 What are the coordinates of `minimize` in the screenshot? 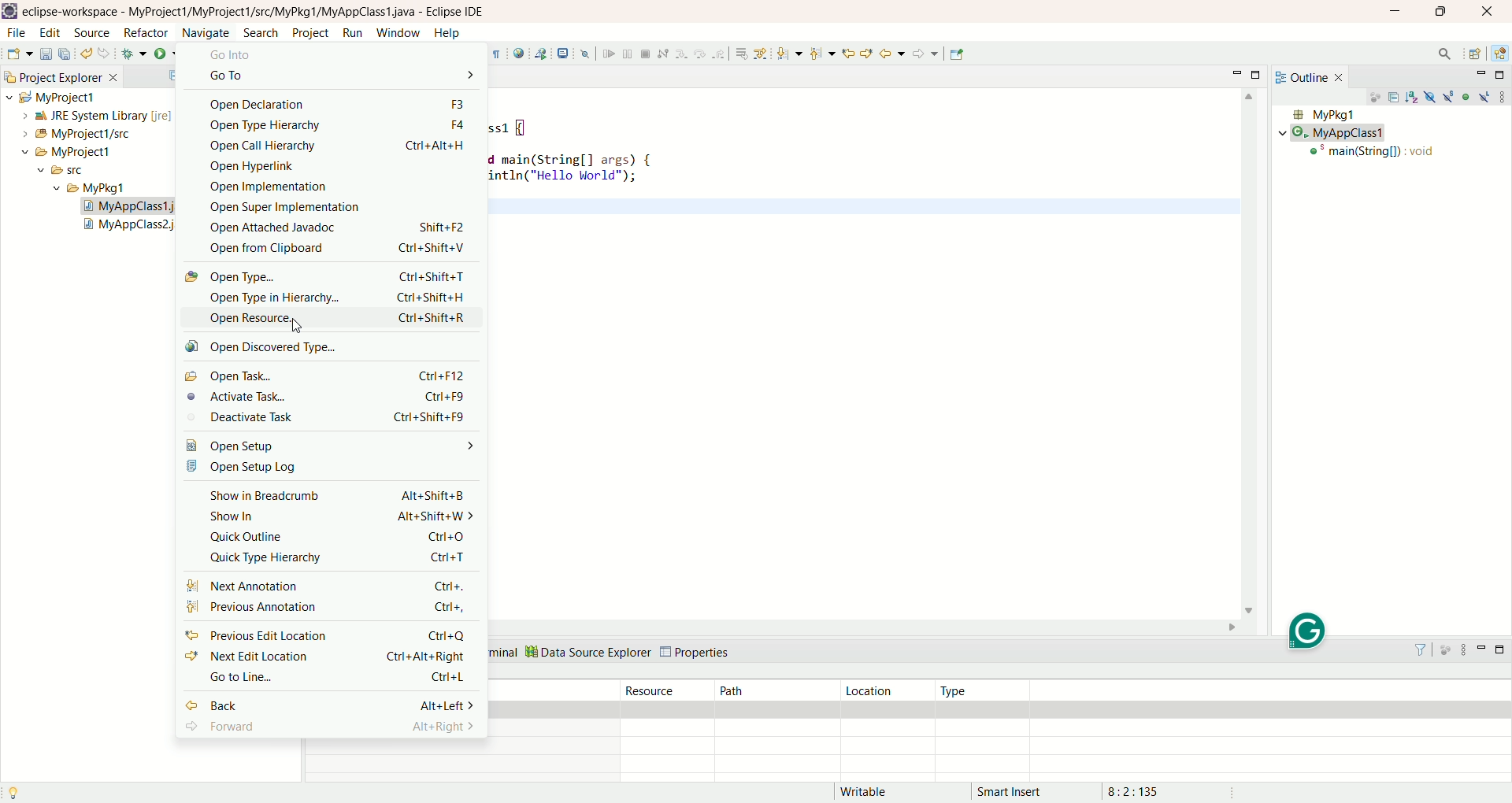 It's located at (1480, 75).